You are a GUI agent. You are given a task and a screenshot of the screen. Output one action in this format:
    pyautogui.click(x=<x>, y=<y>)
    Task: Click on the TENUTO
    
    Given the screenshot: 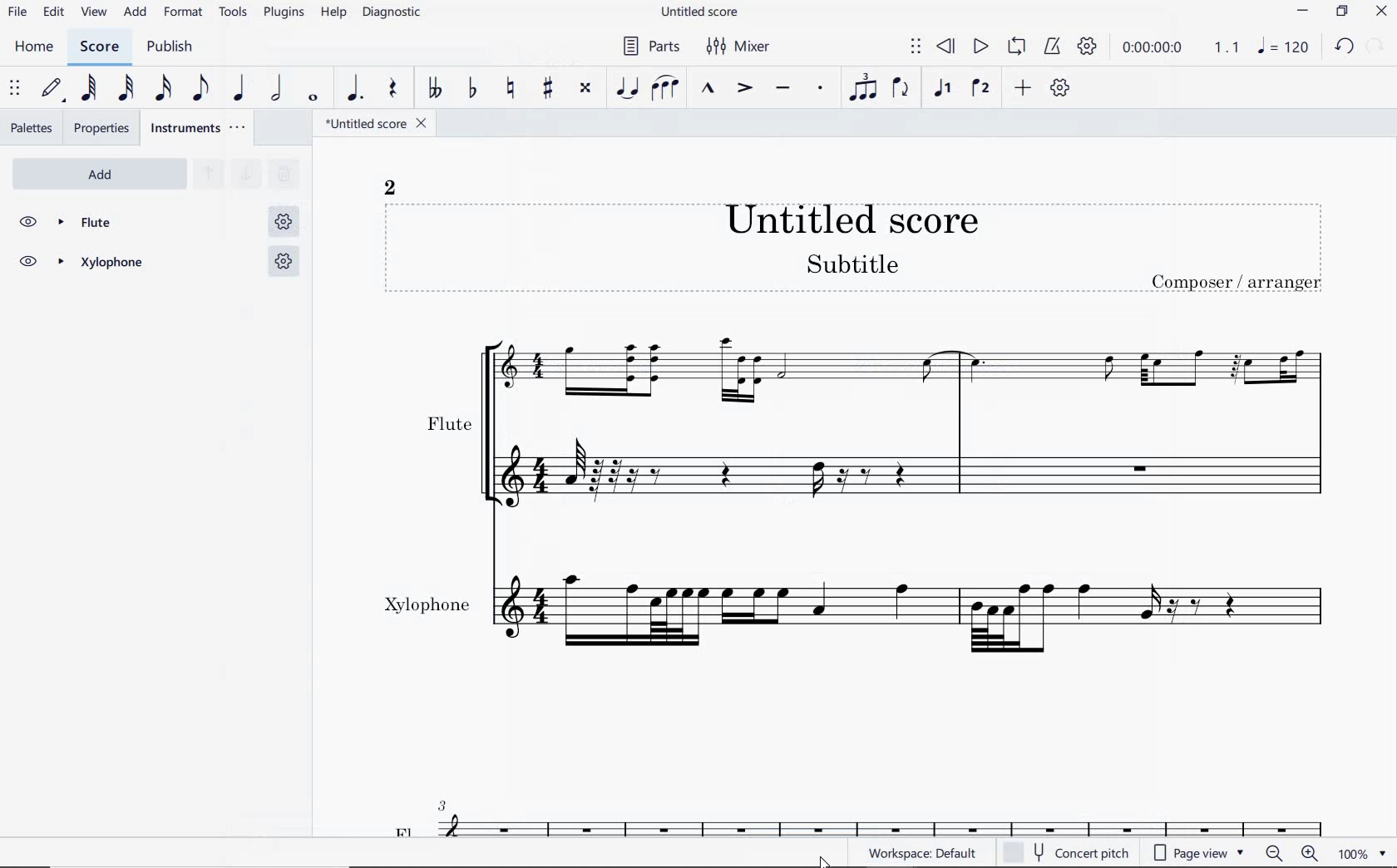 What is the action you would take?
    pyautogui.click(x=786, y=89)
    